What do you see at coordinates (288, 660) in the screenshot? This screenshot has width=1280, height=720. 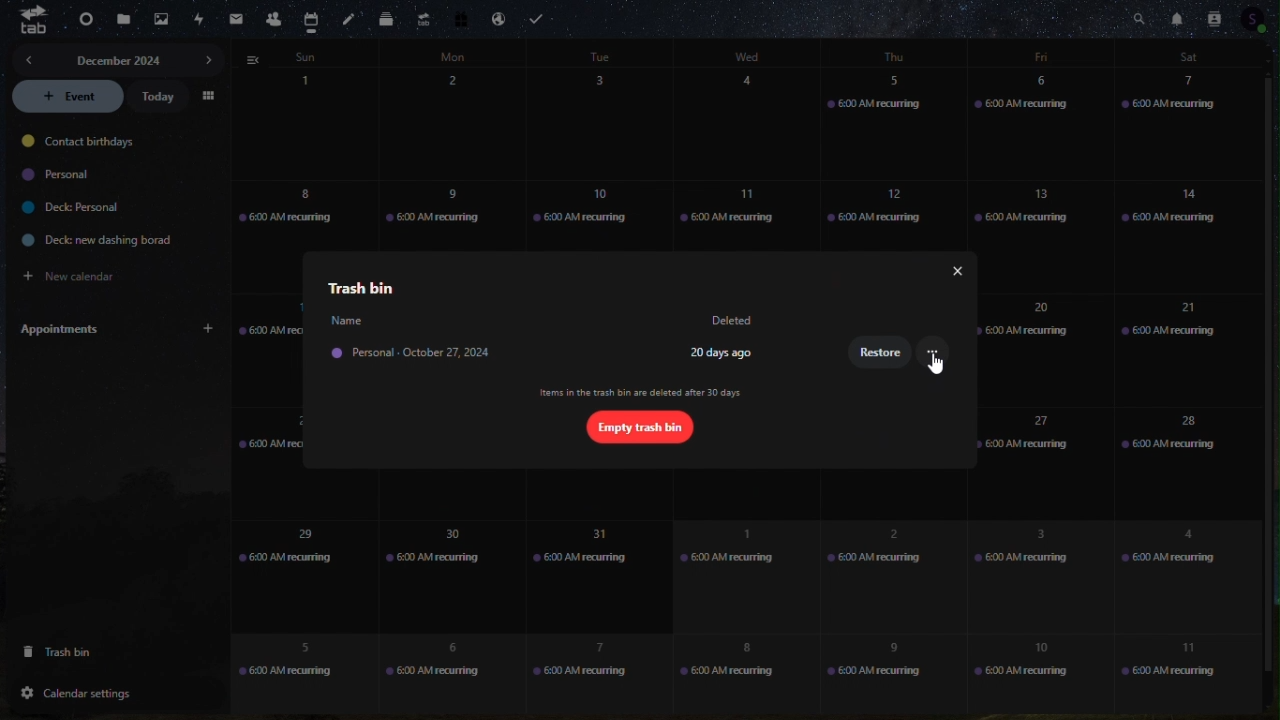 I see `5` at bounding box center [288, 660].